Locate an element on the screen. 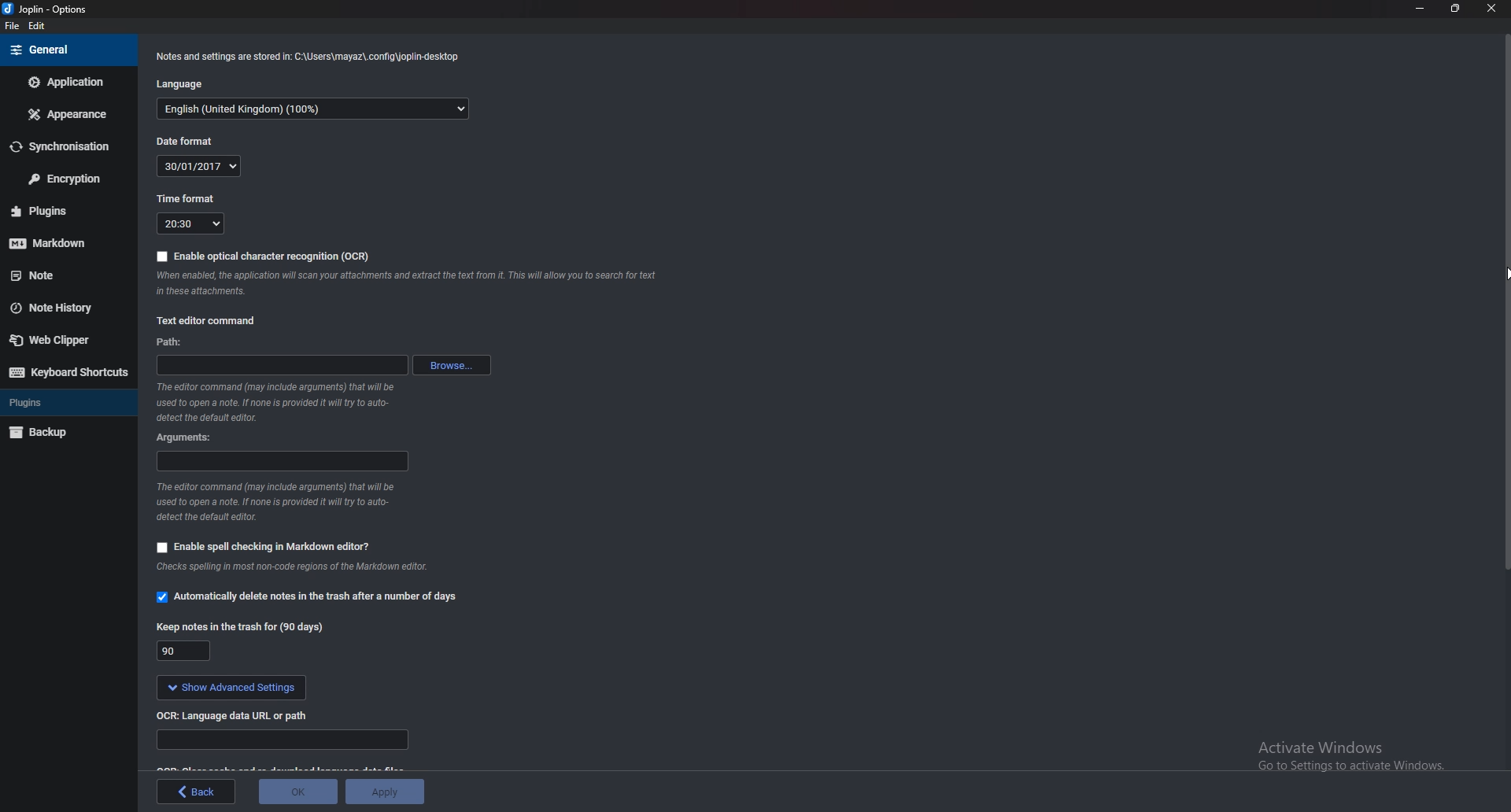 The height and width of the screenshot is (812, 1511). Info is located at coordinates (423, 282).